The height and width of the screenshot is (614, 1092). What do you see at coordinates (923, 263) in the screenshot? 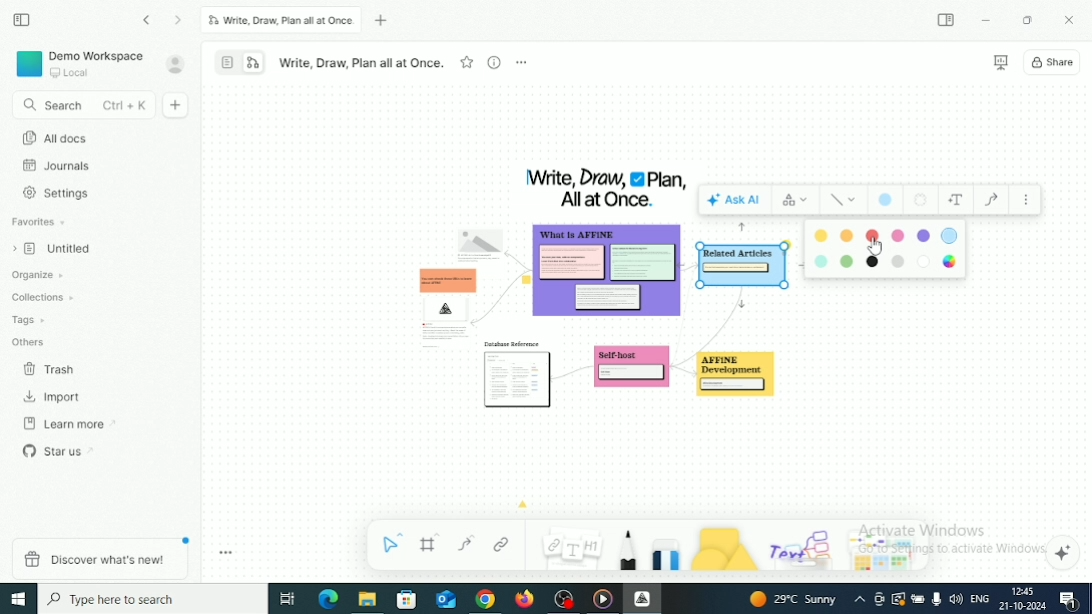
I see `White` at bounding box center [923, 263].